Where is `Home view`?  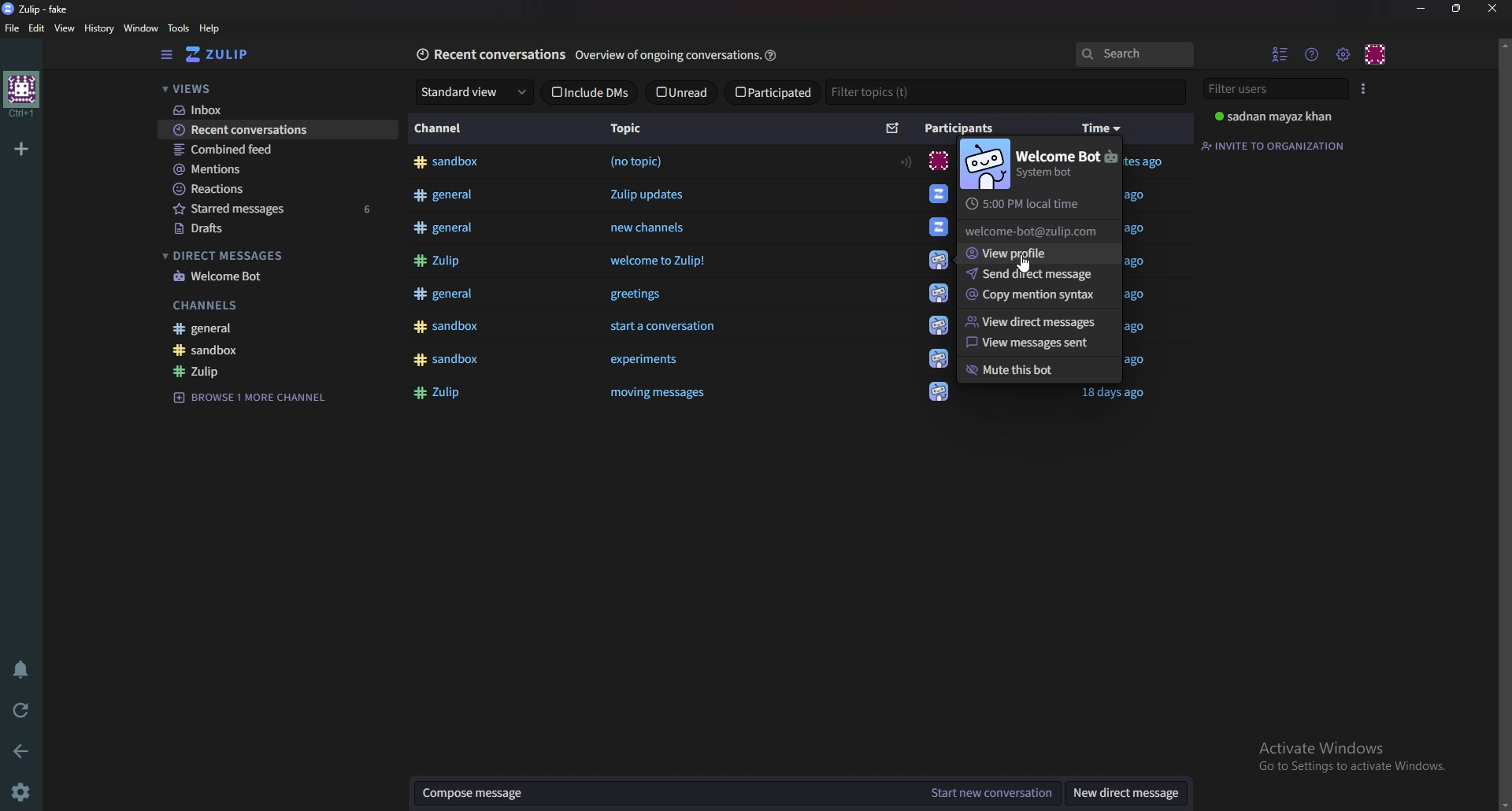 Home view is located at coordinates (226, 55).